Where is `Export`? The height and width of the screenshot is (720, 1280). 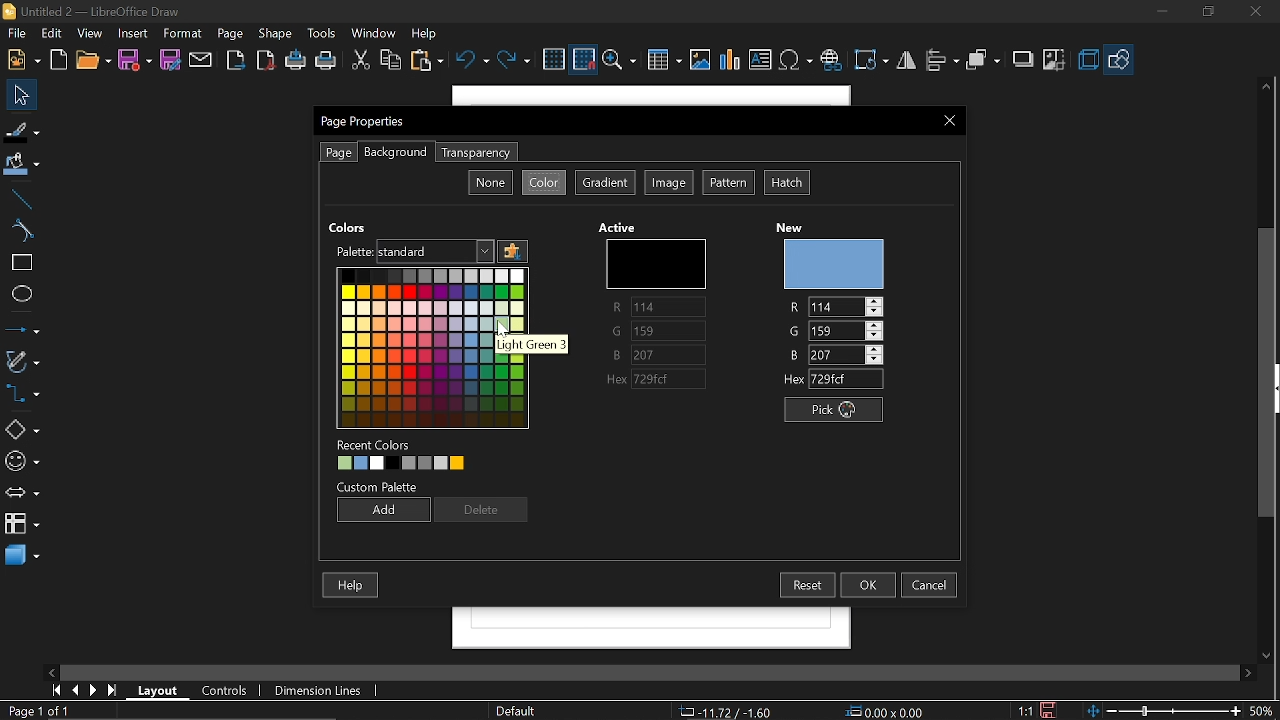
Export is located at coordinates (238, 60).